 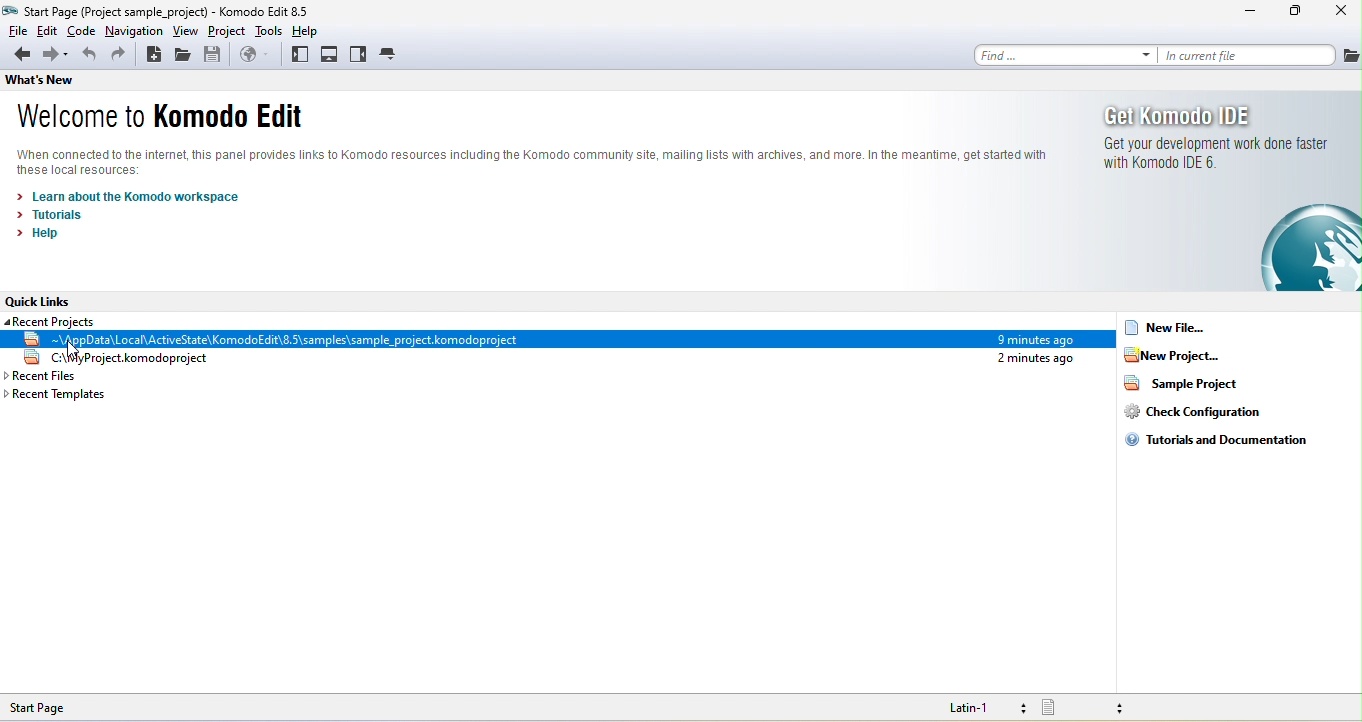 What do you see at coordinates (75, 352) in the screenshot?
I see `cursor movement` at bounding box center [75, 352].